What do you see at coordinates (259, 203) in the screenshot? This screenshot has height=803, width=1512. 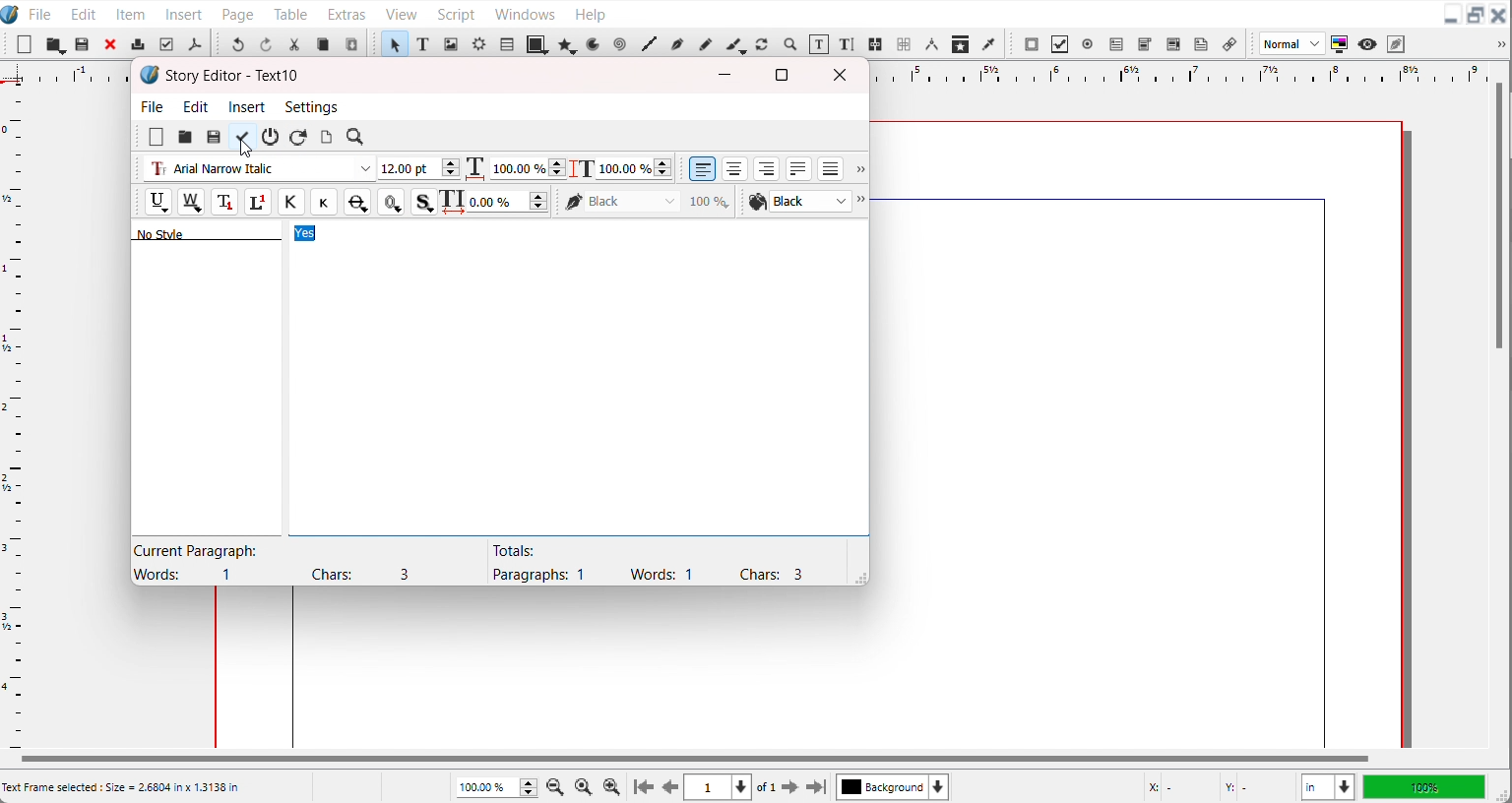 I see `Superscript` at bounding box center [259, 203].